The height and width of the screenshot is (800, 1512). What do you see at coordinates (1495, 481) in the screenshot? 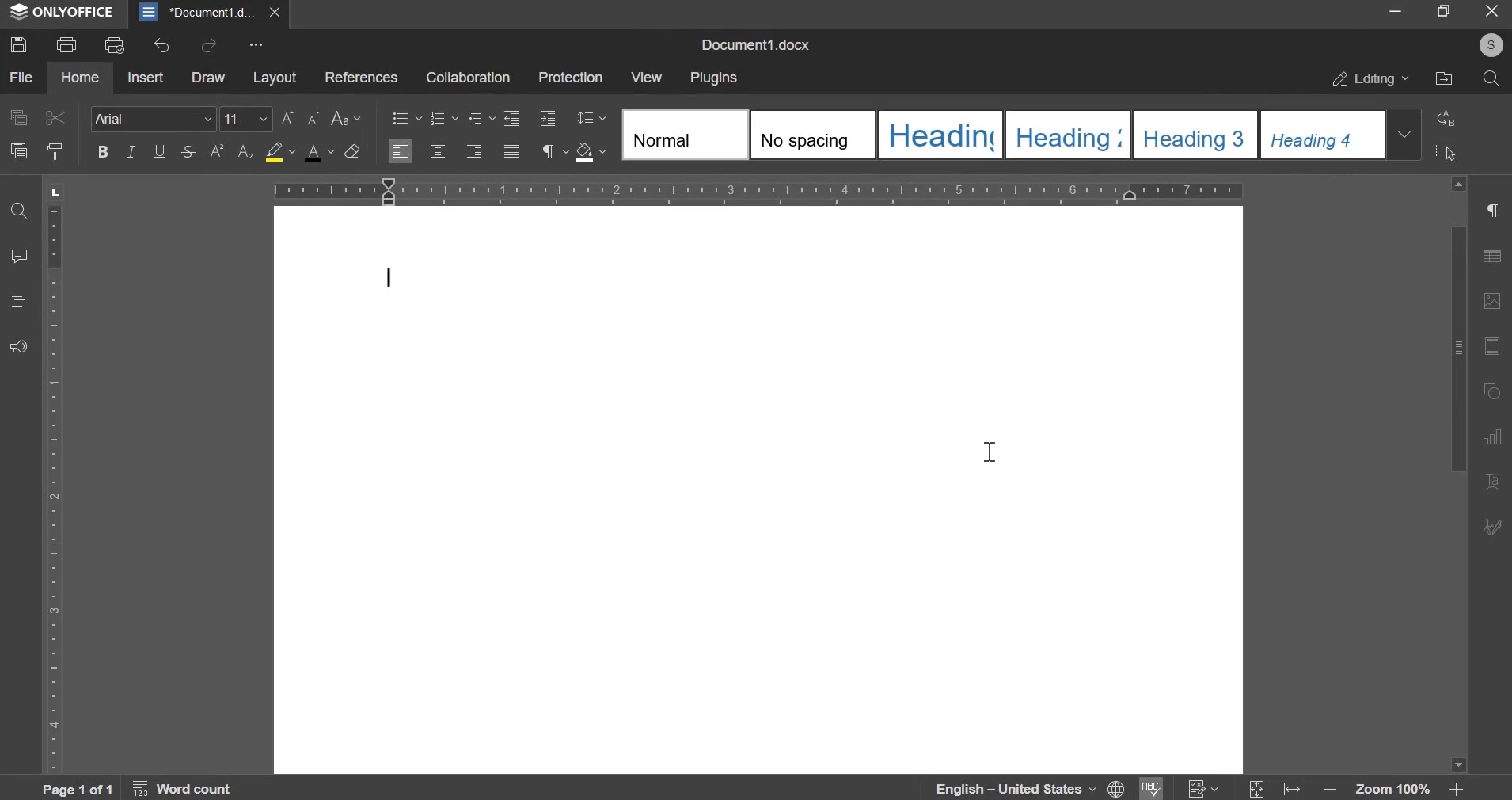
I see `text wrap` at bounding box center [1495, 481].